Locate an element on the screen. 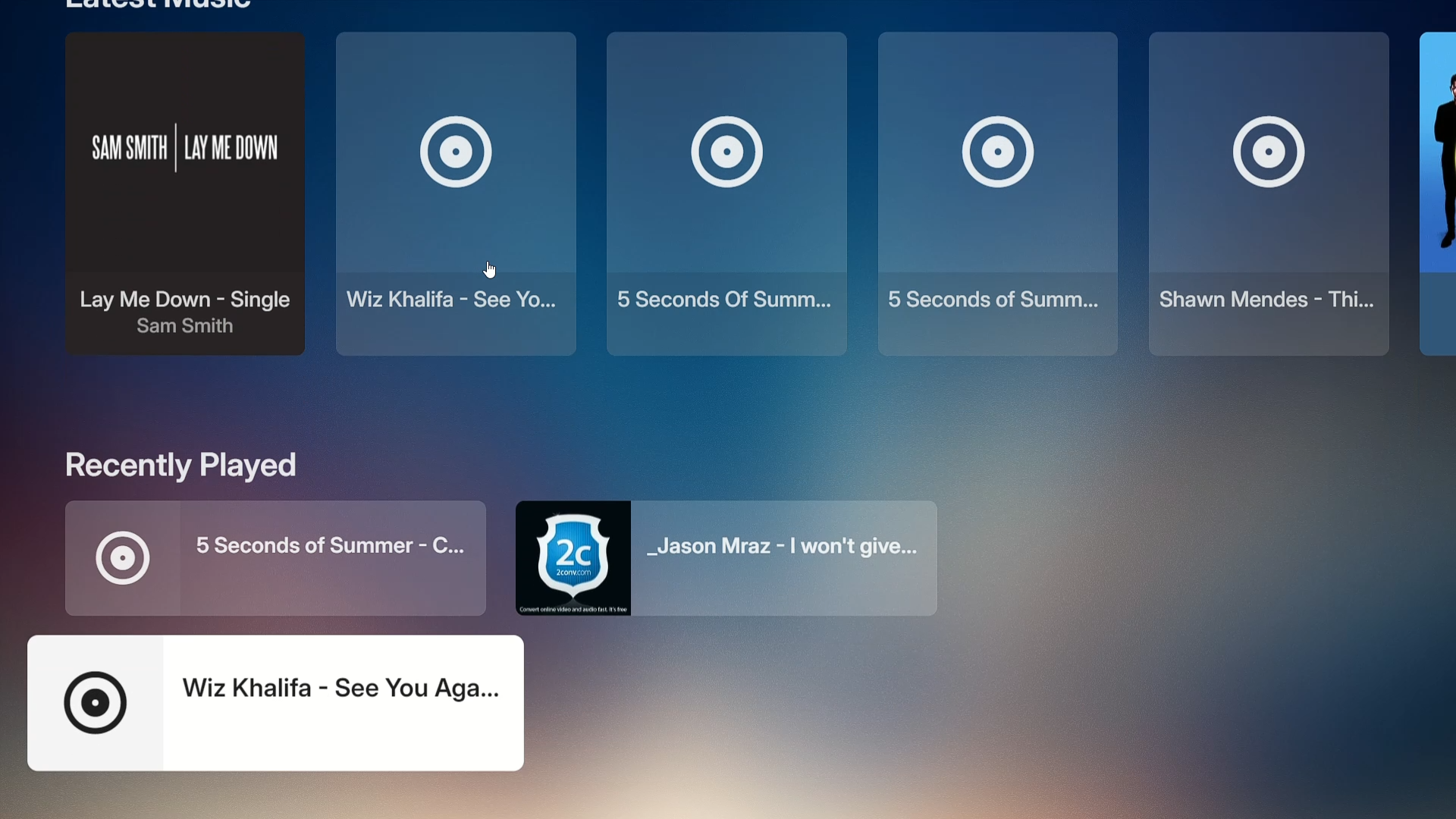 The image size is (1456, 819). 5 Seconds of is located at coordinates (726, 194).